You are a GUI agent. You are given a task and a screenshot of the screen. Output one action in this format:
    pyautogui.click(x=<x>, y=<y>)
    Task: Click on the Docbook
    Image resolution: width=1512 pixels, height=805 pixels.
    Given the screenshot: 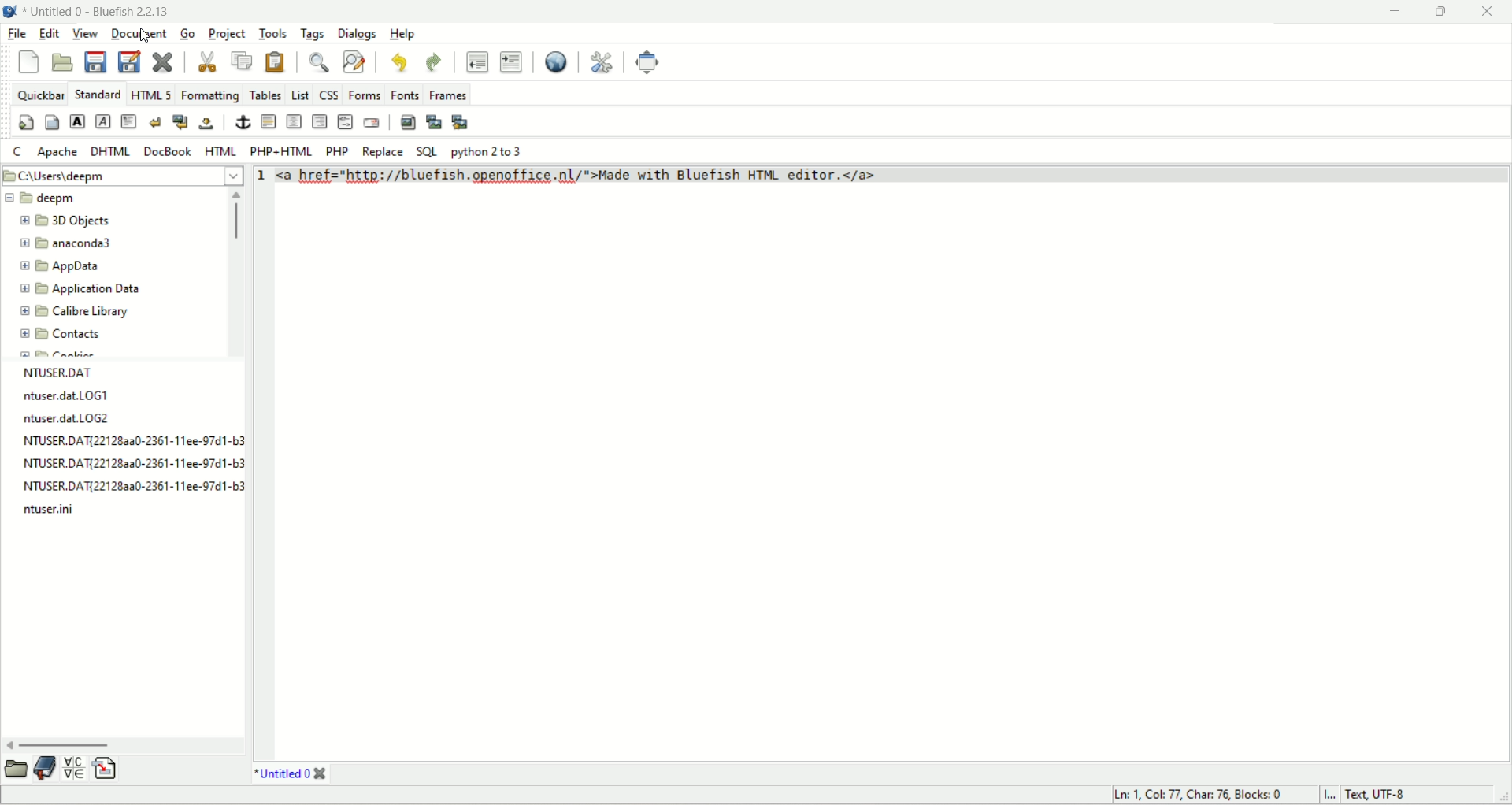 What is the action you would take?
    pyautogui.click(x=168, y=151)
    